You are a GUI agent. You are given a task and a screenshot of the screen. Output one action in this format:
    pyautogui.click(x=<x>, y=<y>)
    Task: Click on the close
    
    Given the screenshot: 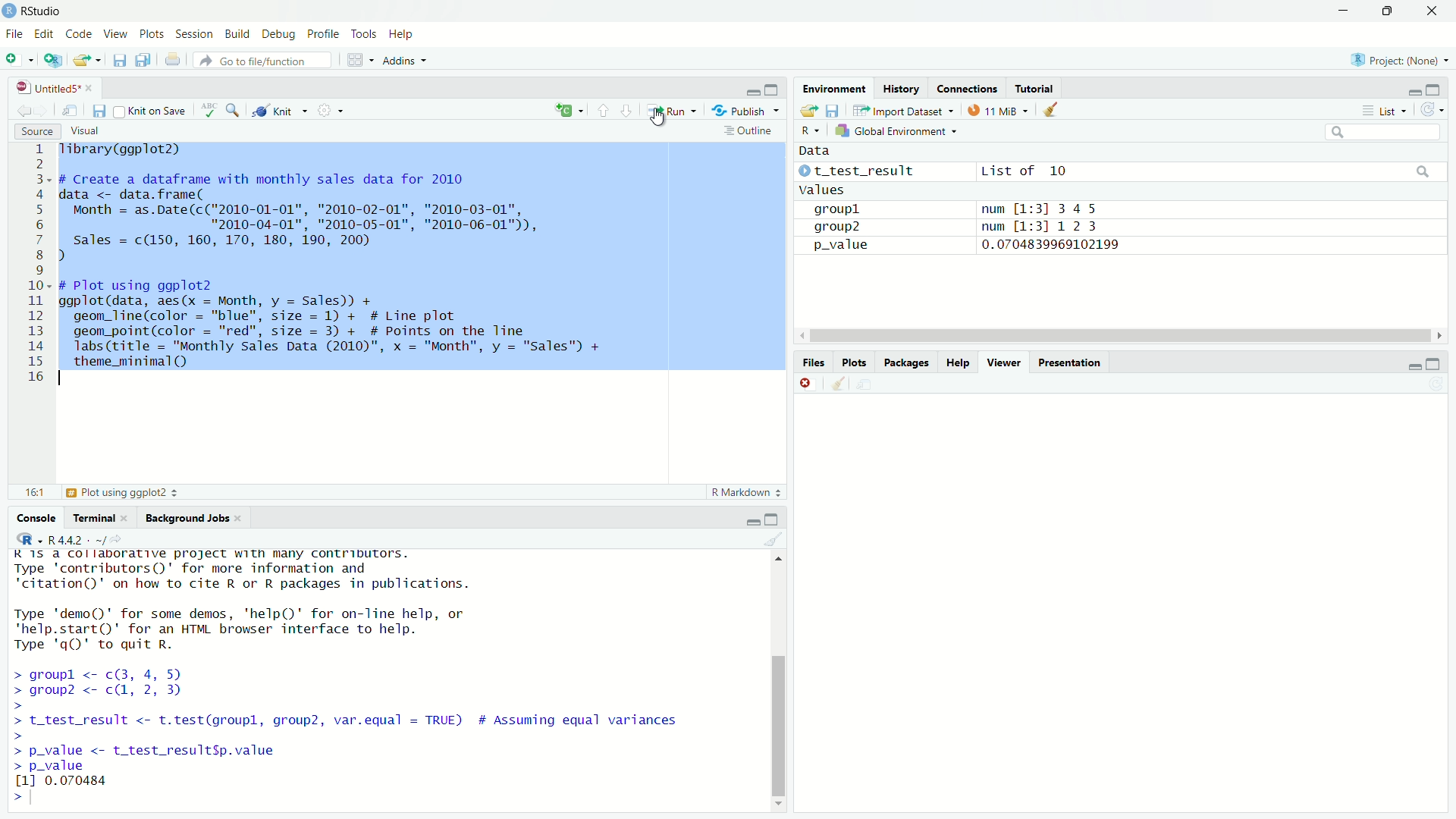 What is the action you would take?
    pyautogui.click(x=1429, y=14)
    